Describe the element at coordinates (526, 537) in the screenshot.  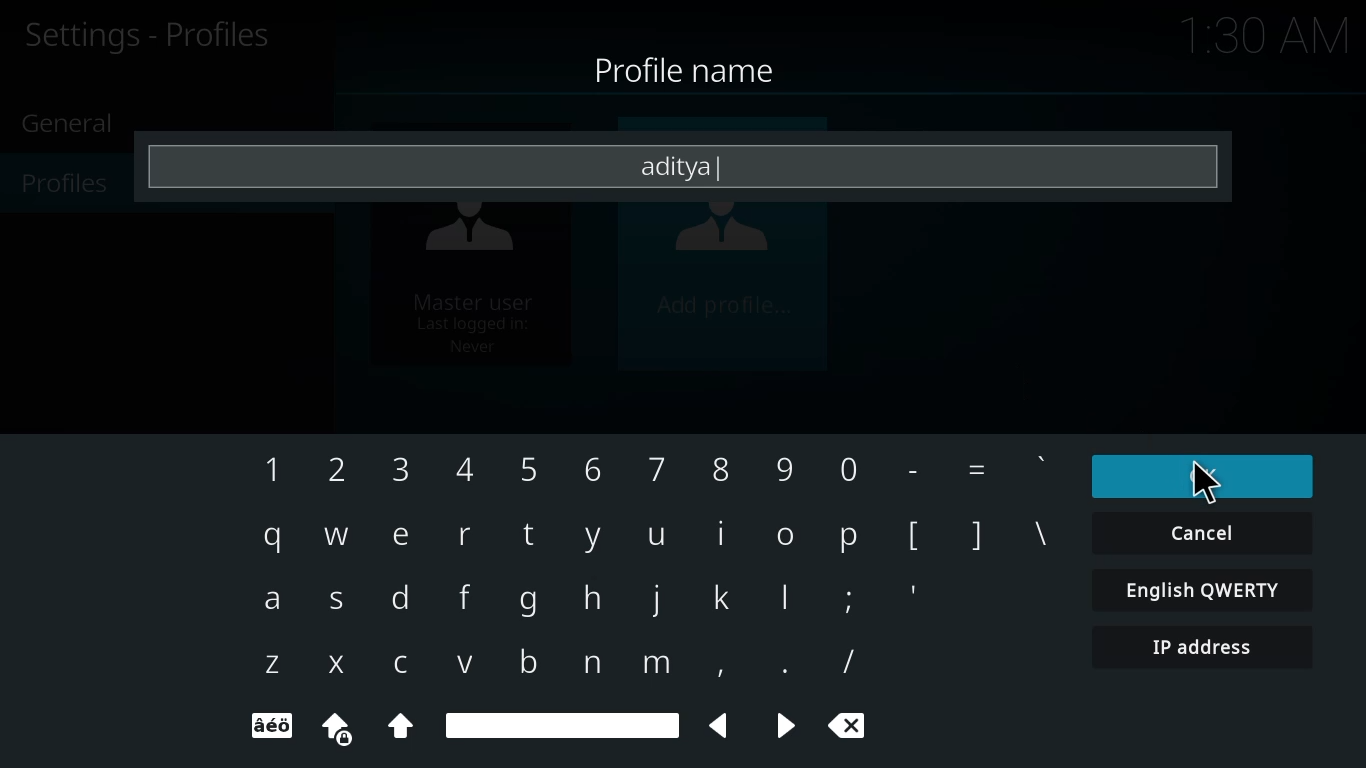
I see `t` at that location.